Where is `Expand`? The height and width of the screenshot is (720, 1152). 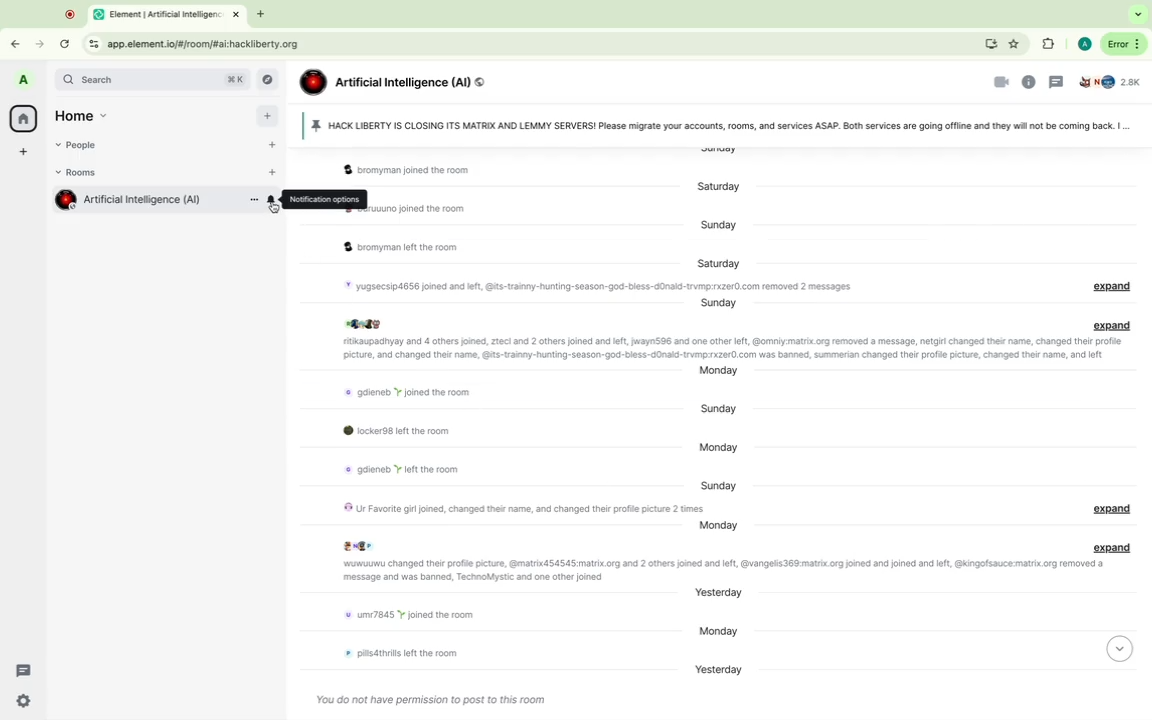
Expand is located at coordinates (1113, 326).